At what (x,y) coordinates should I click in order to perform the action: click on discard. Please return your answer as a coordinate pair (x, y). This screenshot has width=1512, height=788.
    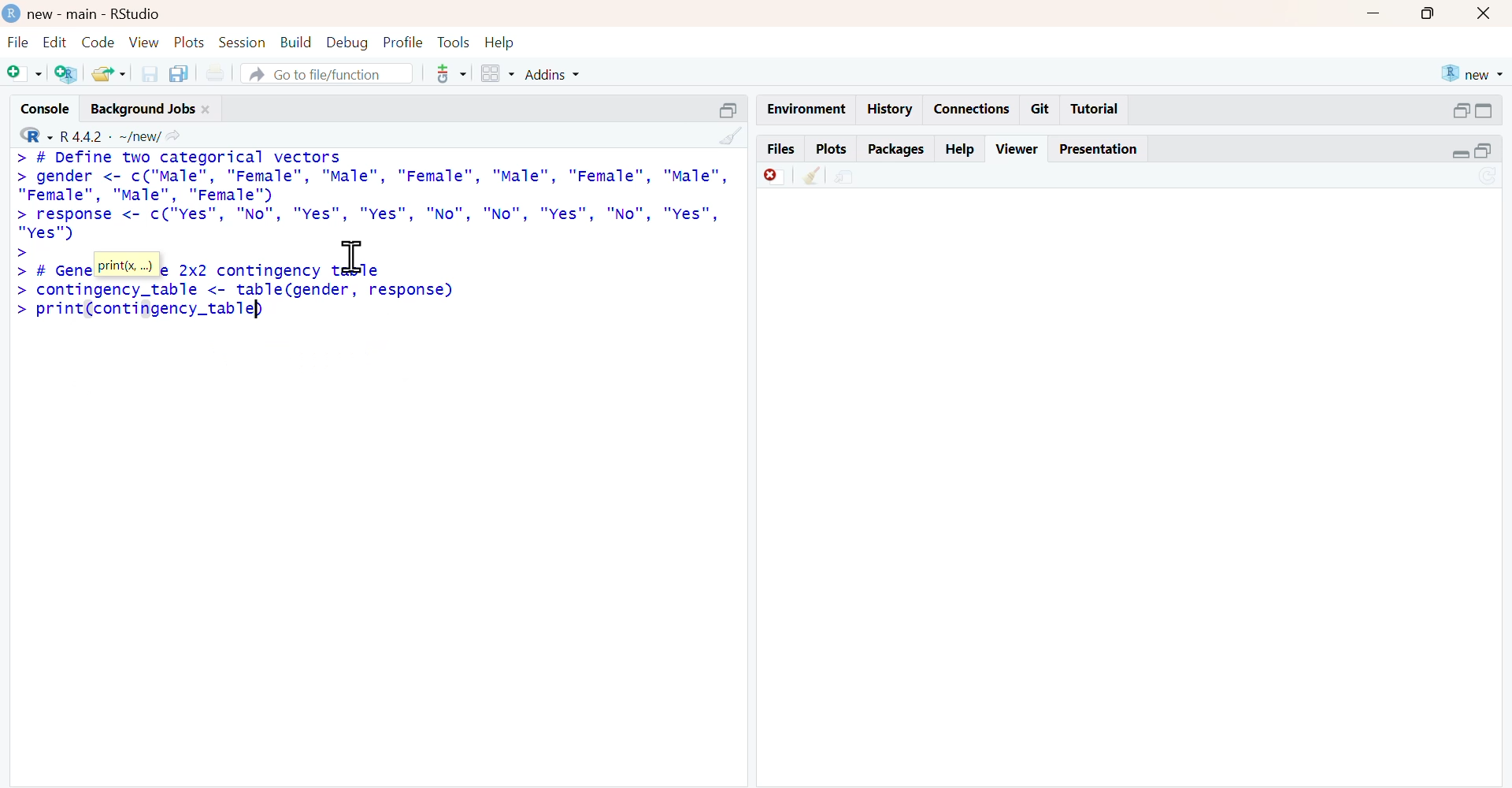
    Looking at the image, I should click on (775, 177).